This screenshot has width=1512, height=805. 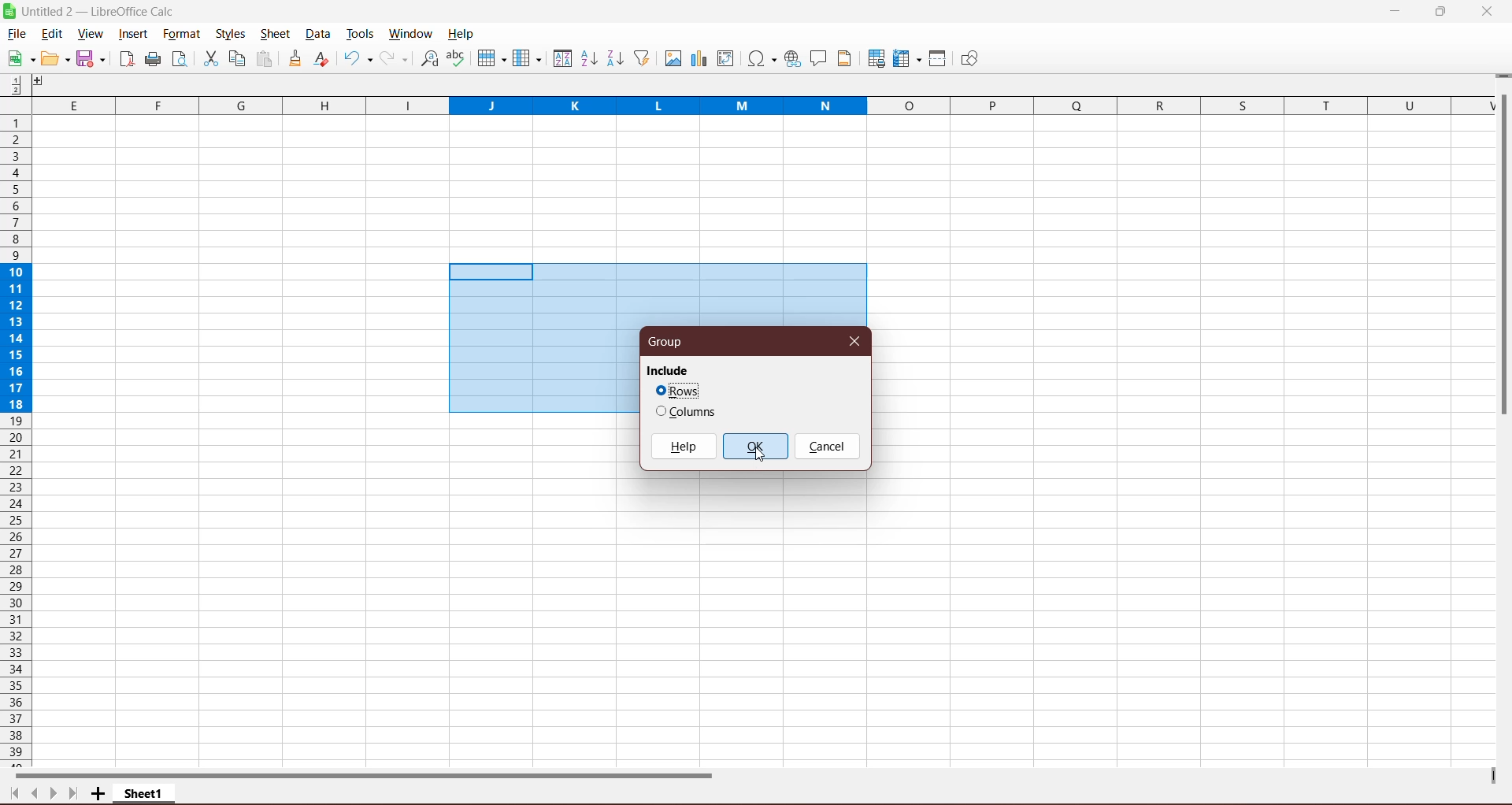 What do you see at coordinates (153, 60) in the screenshot?
I see `Print` at bounding box center [153, 60].